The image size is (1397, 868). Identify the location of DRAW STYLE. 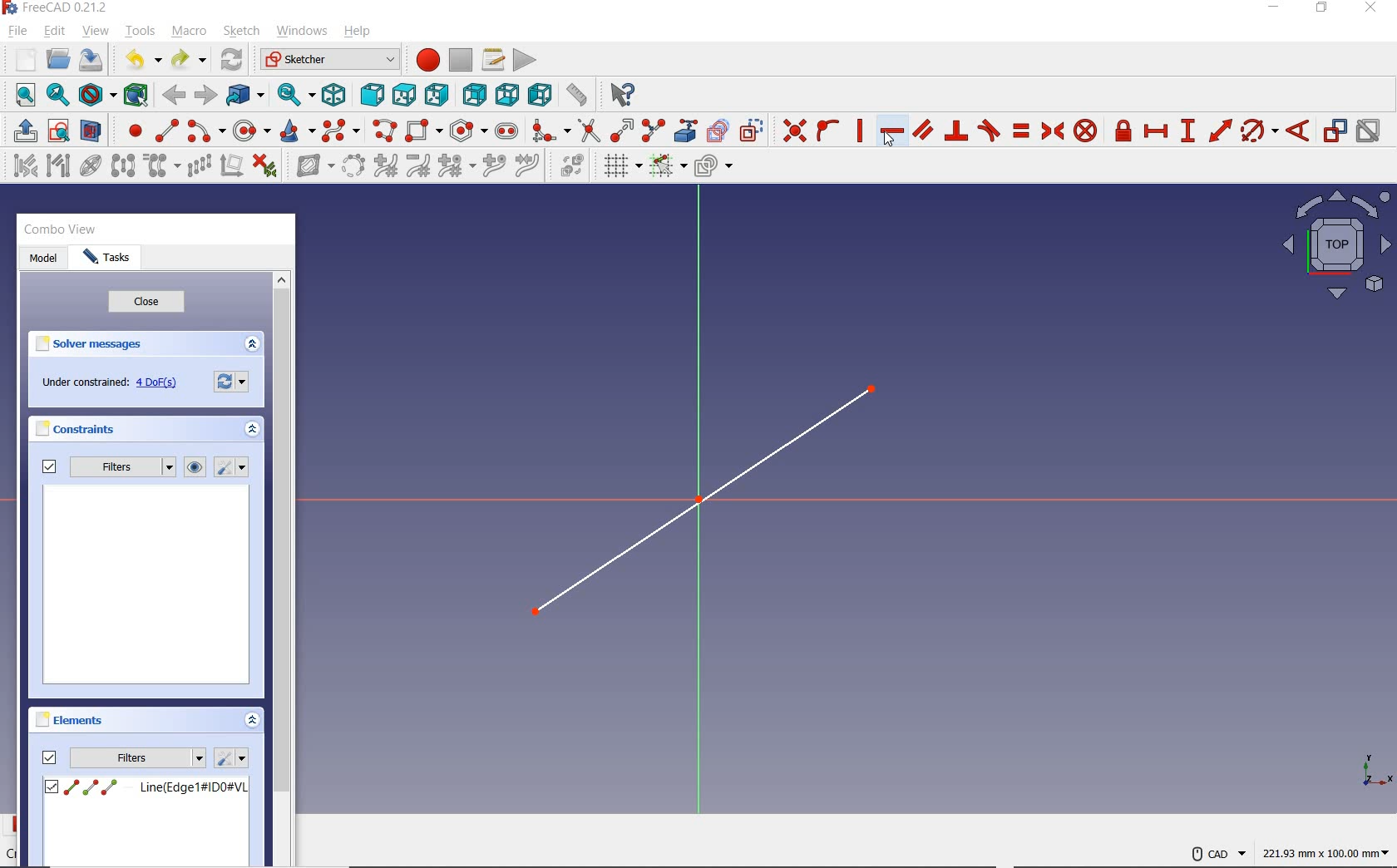
(96, 96).